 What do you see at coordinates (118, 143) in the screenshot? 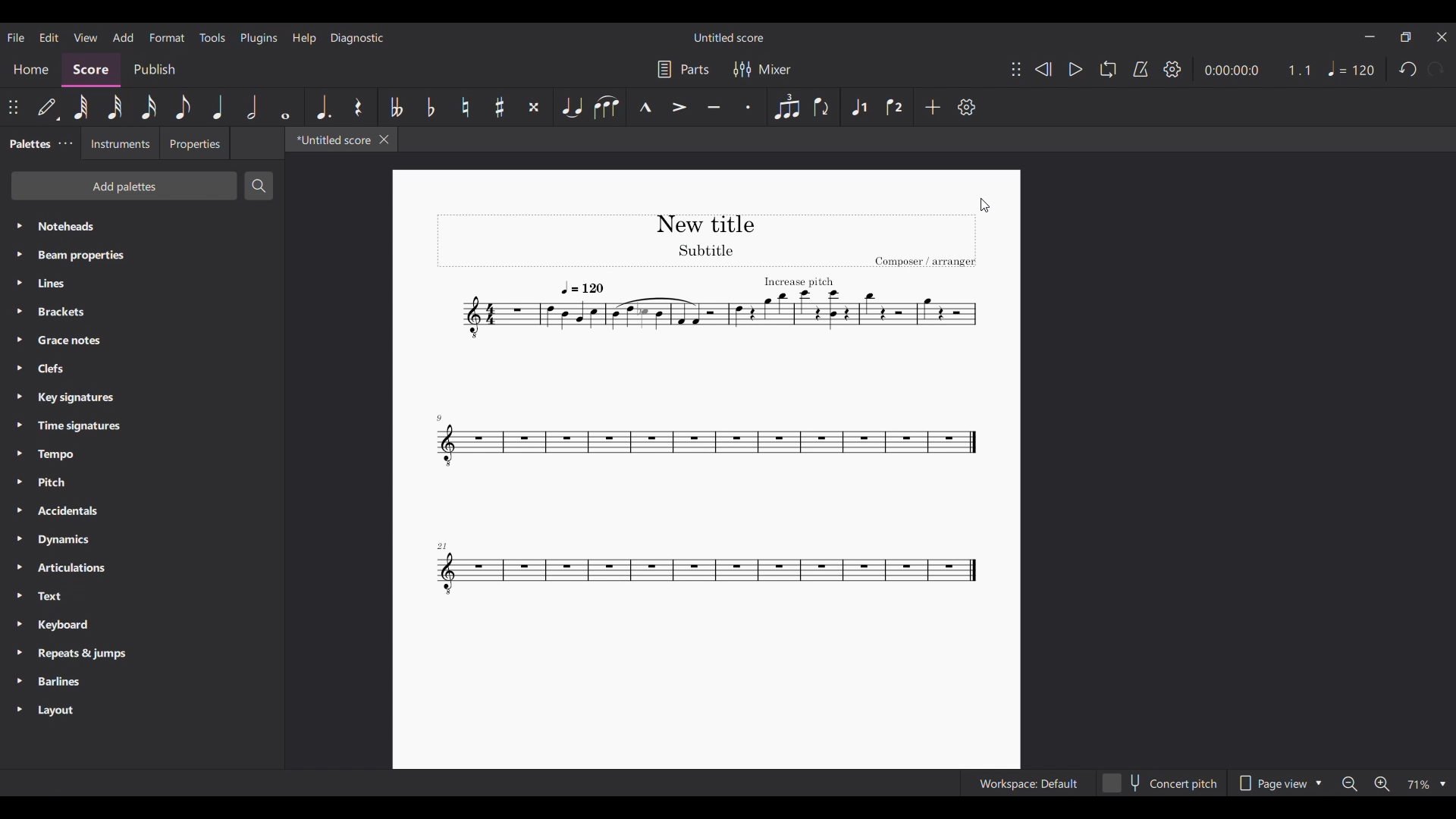
I see `Instruments` at bounding box center [118, 143].